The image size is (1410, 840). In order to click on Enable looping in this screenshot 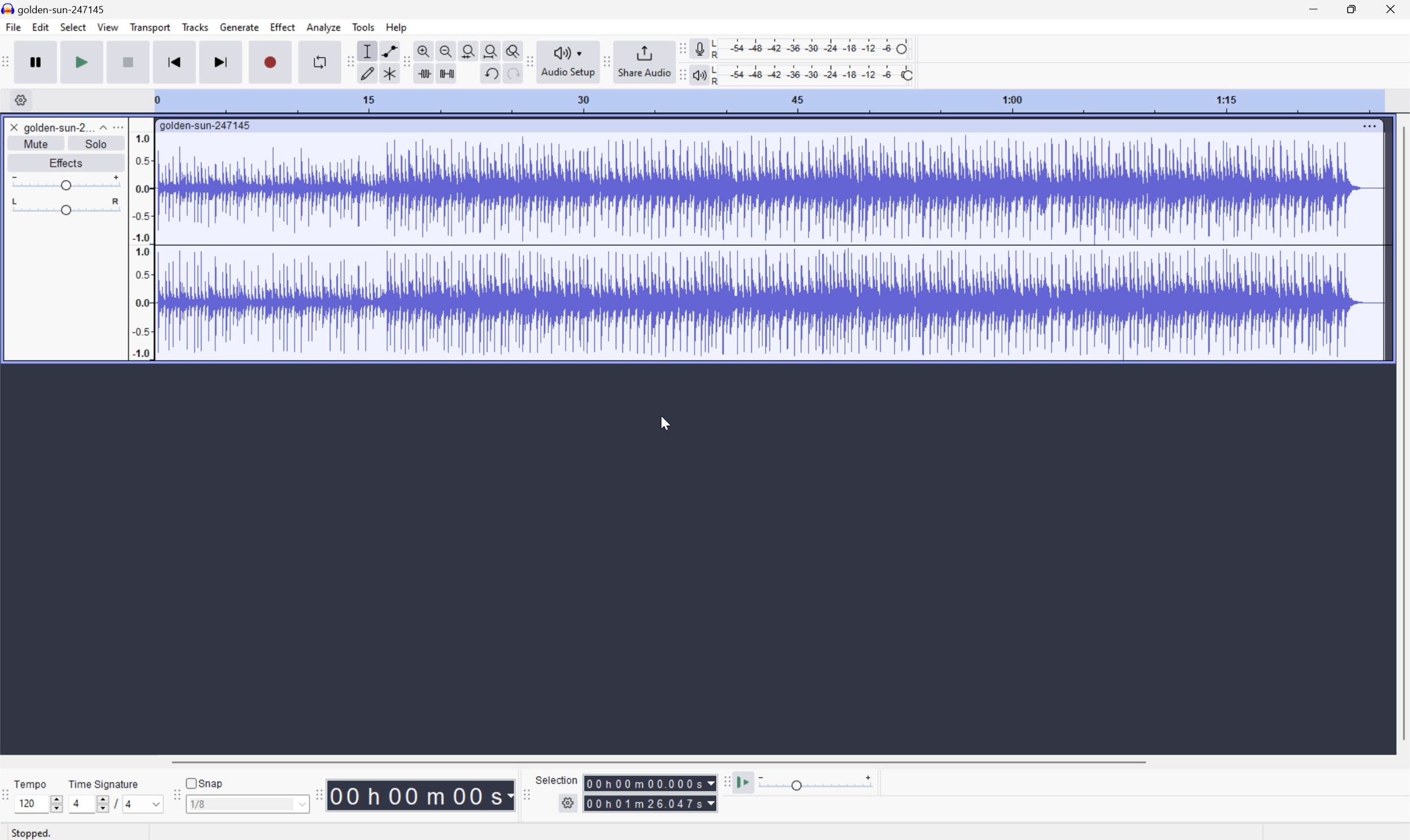, I will do `click(319, 61)`.